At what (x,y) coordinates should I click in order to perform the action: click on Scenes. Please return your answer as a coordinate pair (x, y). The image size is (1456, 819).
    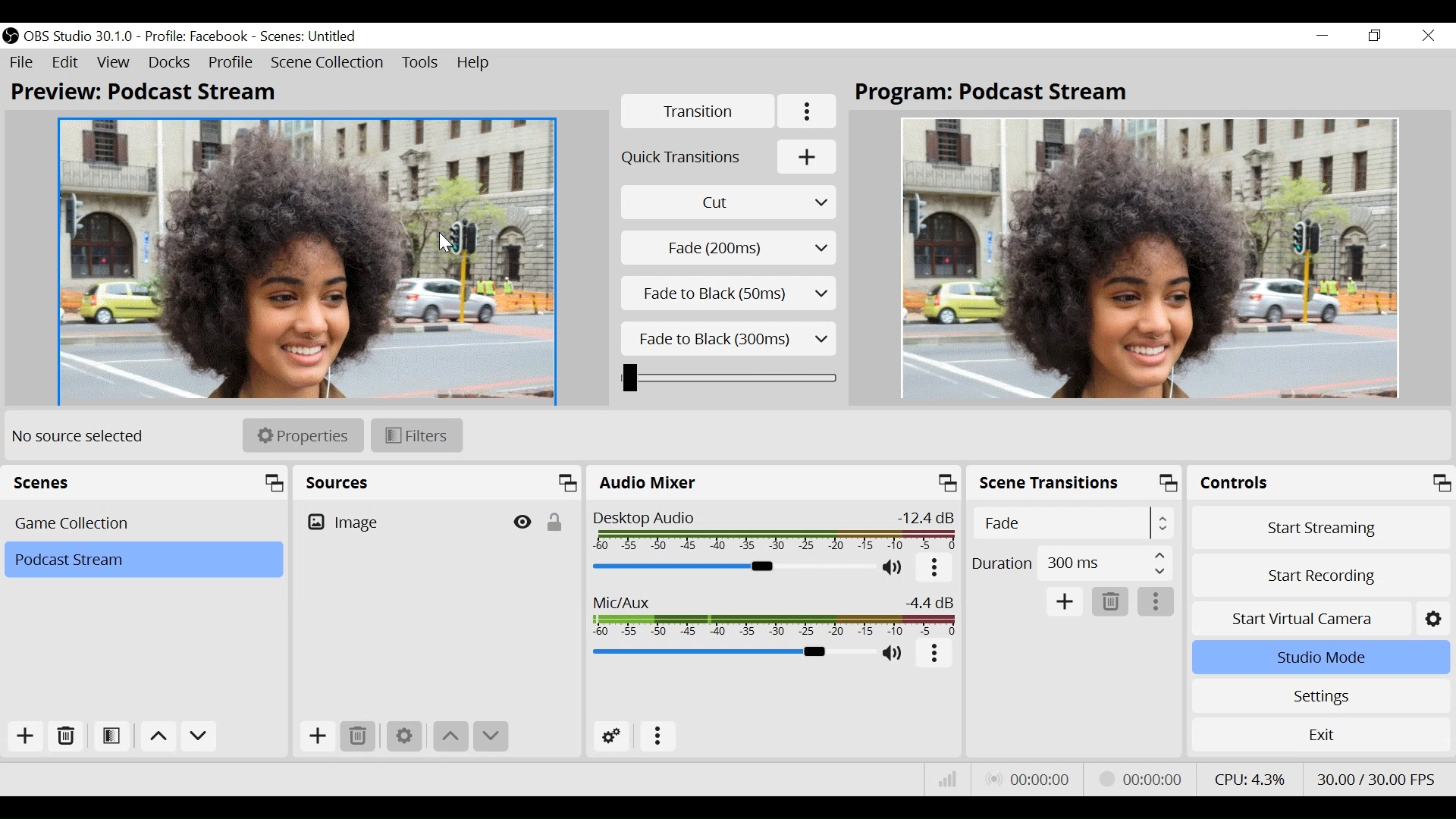
    Looking at the image, I should click on (146, 482).